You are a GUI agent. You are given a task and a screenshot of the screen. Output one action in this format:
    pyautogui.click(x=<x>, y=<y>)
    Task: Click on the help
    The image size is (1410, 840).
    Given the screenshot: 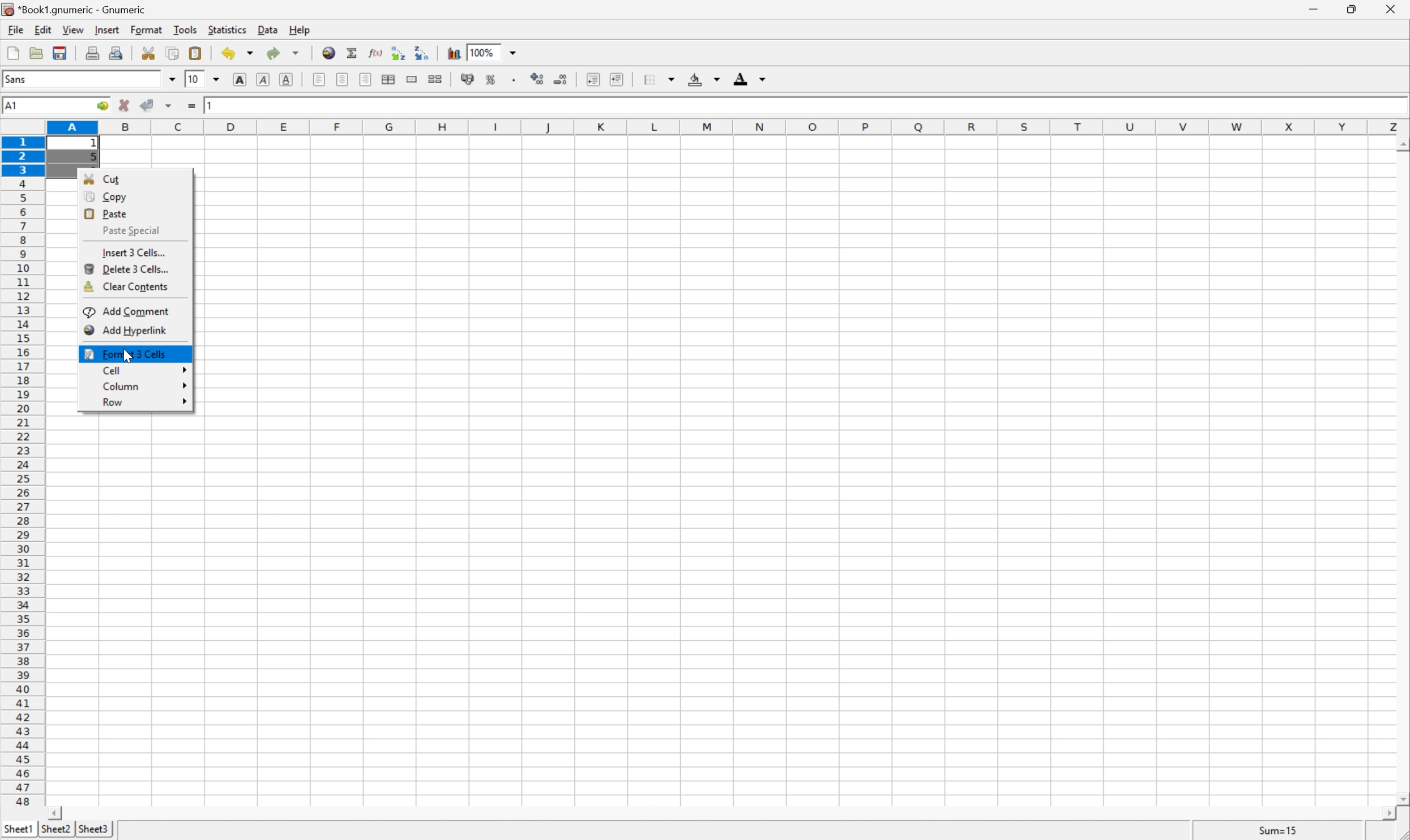 What is the action you would take?
    pyautogui.click(x=301, y=29)
    